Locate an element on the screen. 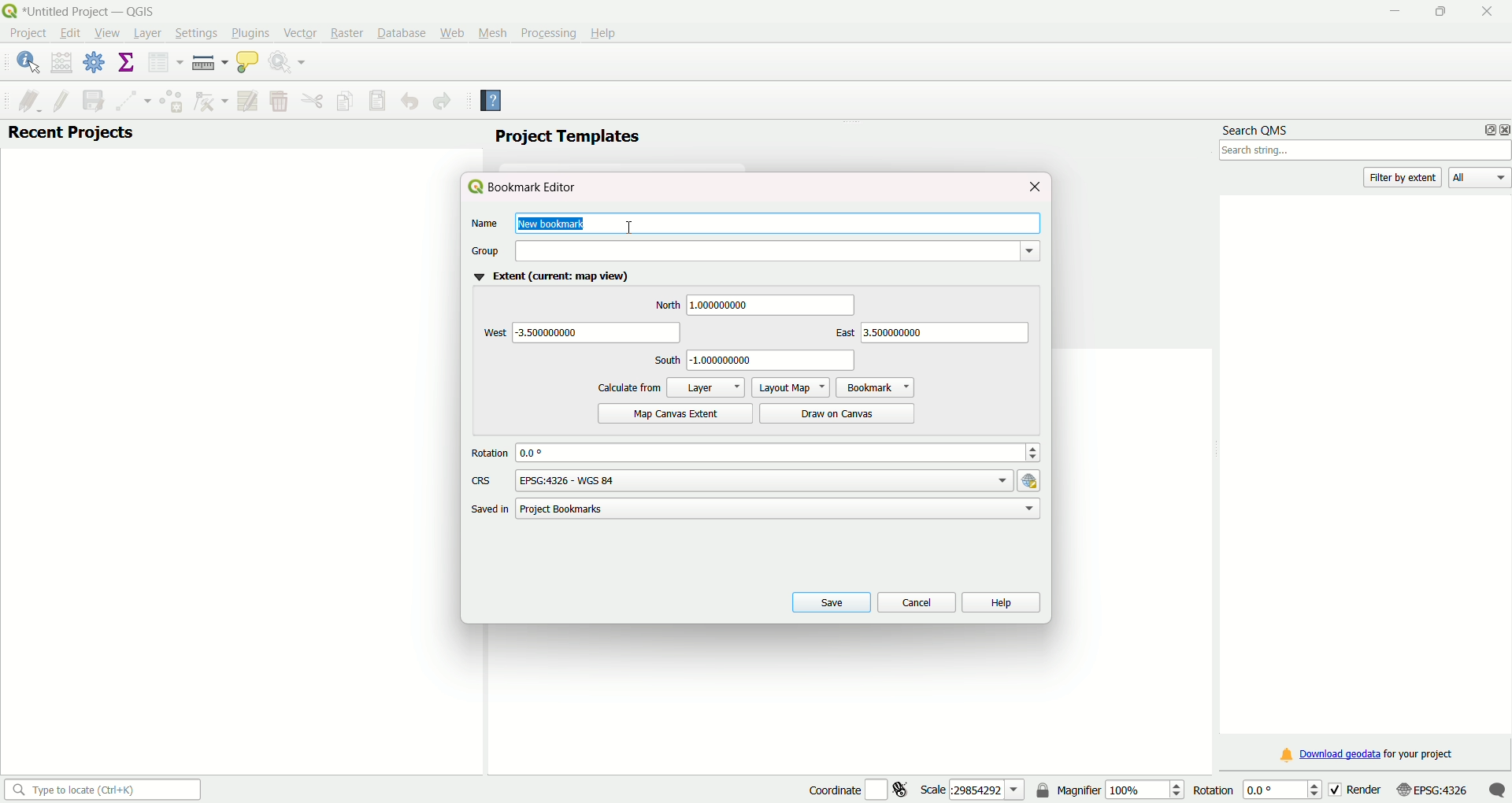 The image size is (1512, 803). rotation is located at coordinates (490, 453).